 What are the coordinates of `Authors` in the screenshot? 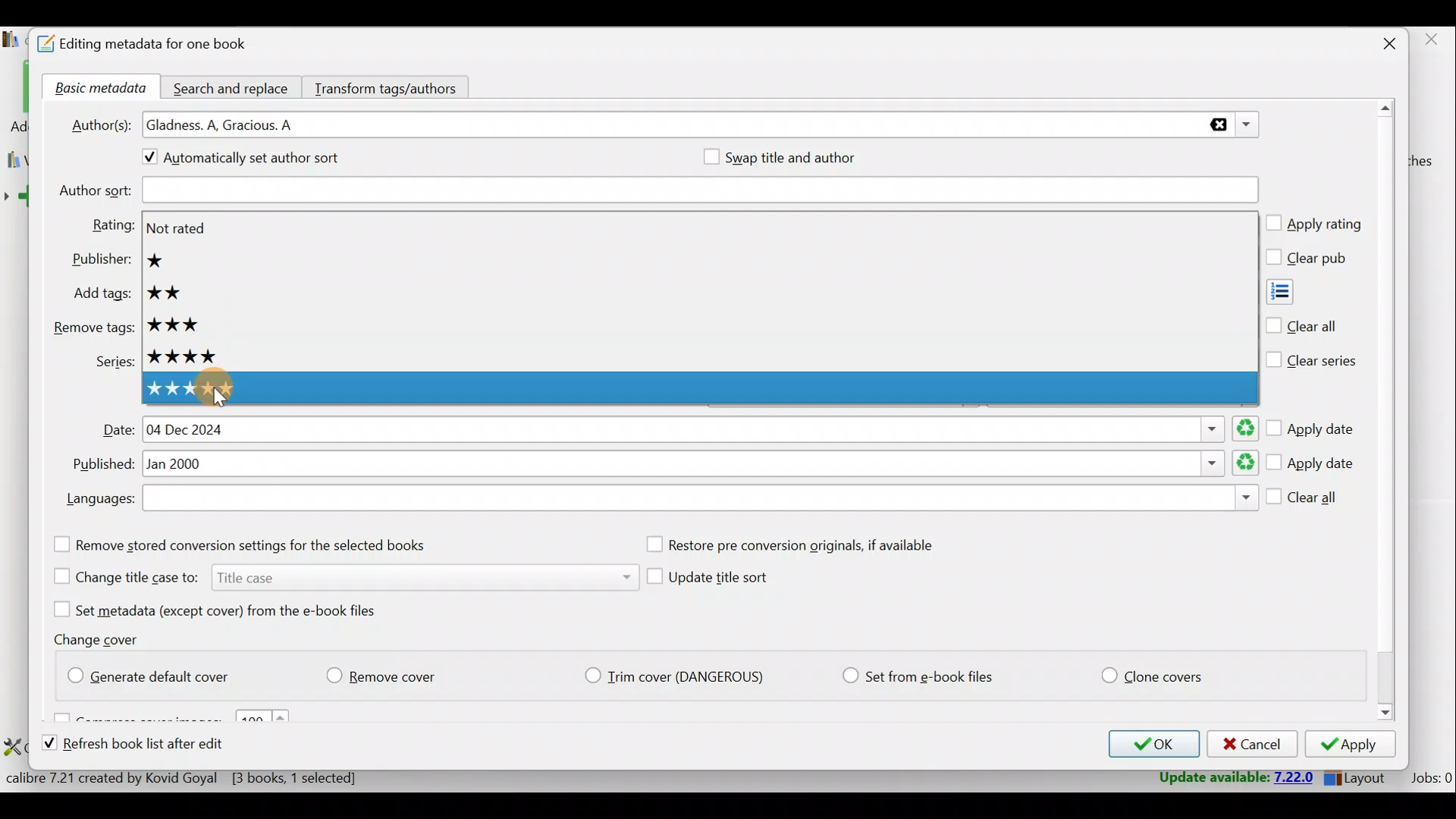 It's located at (702, 126).